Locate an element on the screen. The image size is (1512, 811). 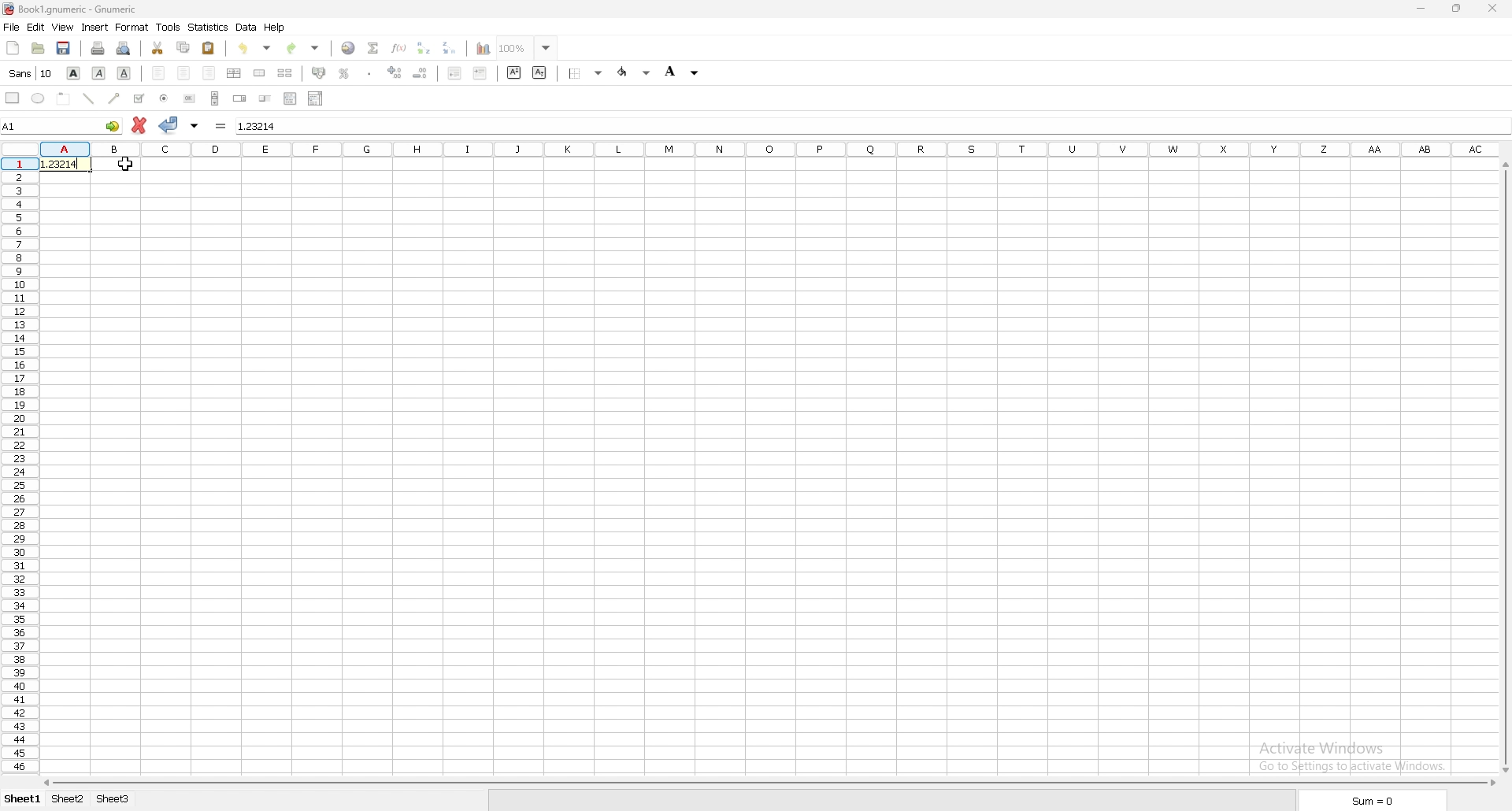
number is located at coordinates (66, 164).